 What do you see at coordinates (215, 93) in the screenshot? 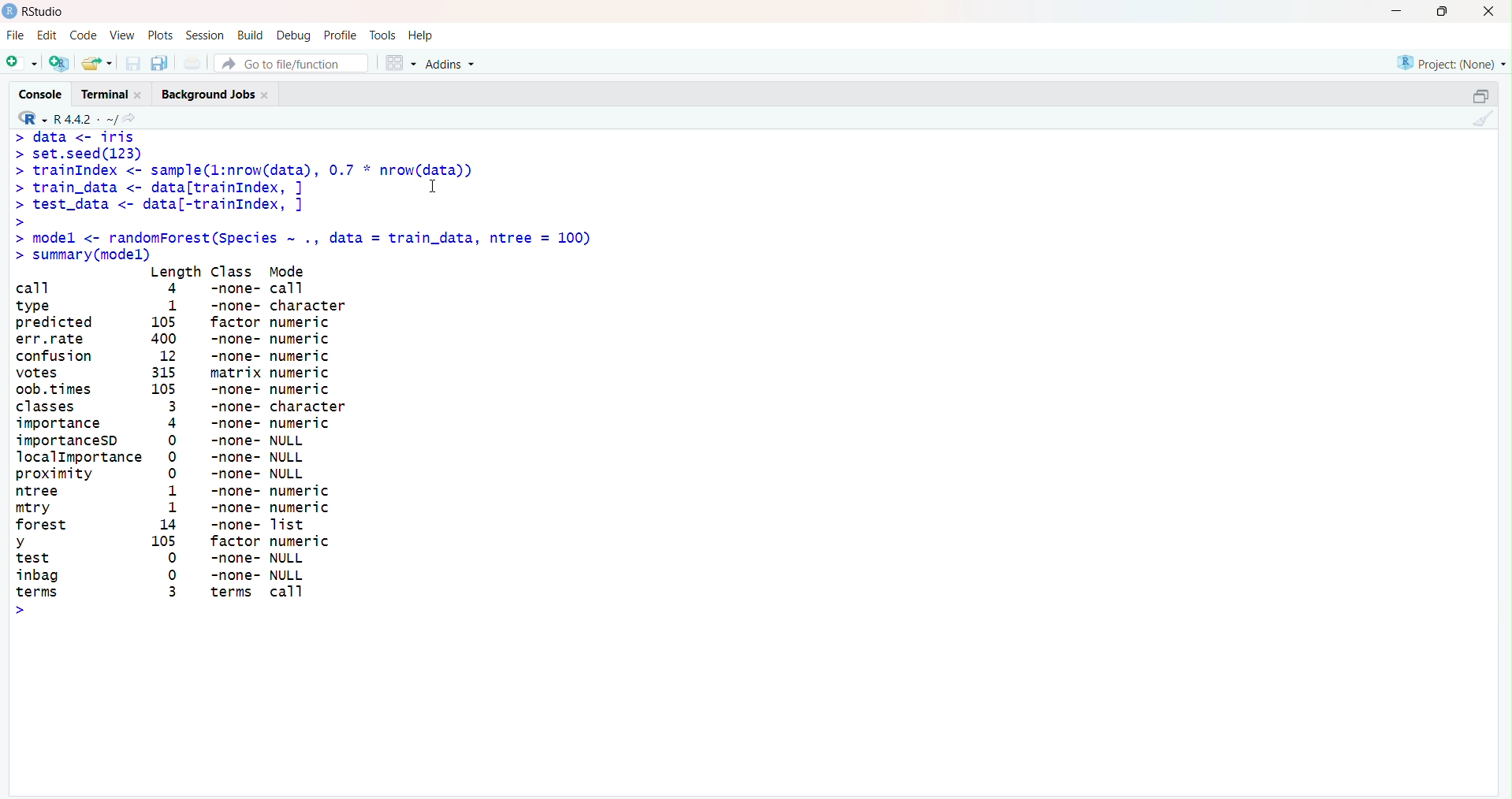
I see `Background Jobs` at bounding box center [215, 93].